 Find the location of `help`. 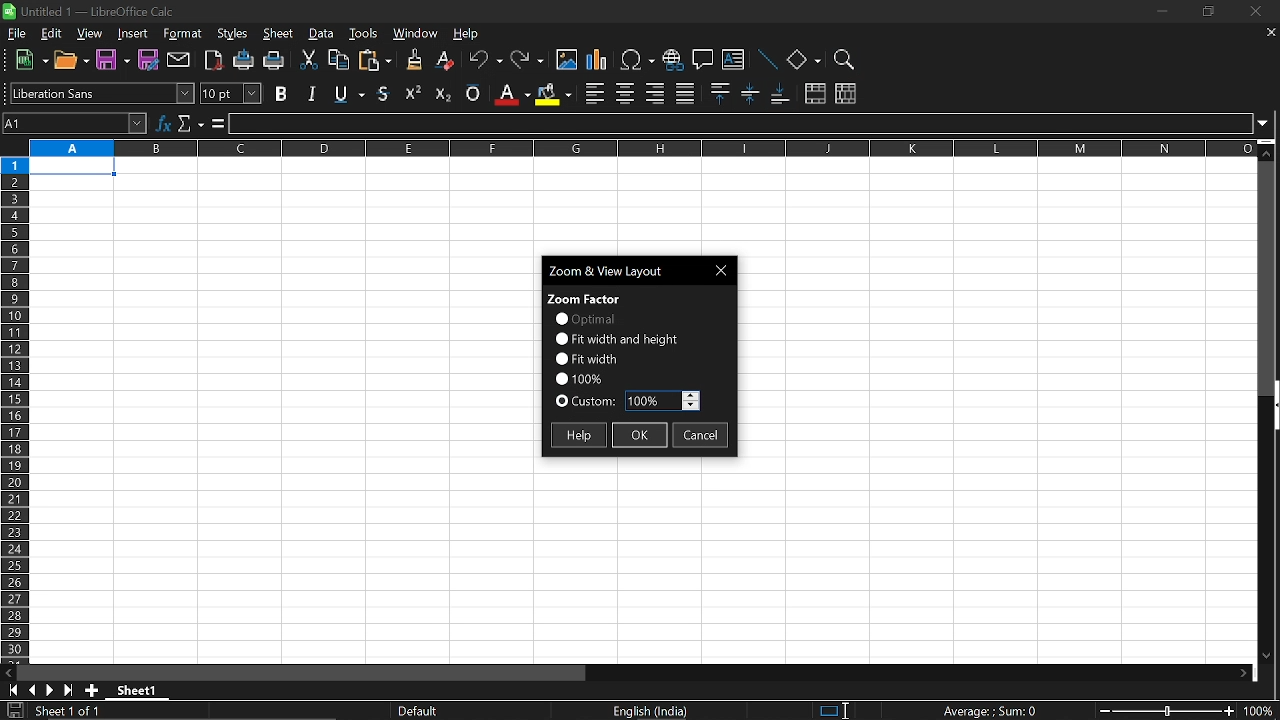

help is located at coordinates (468, 36).